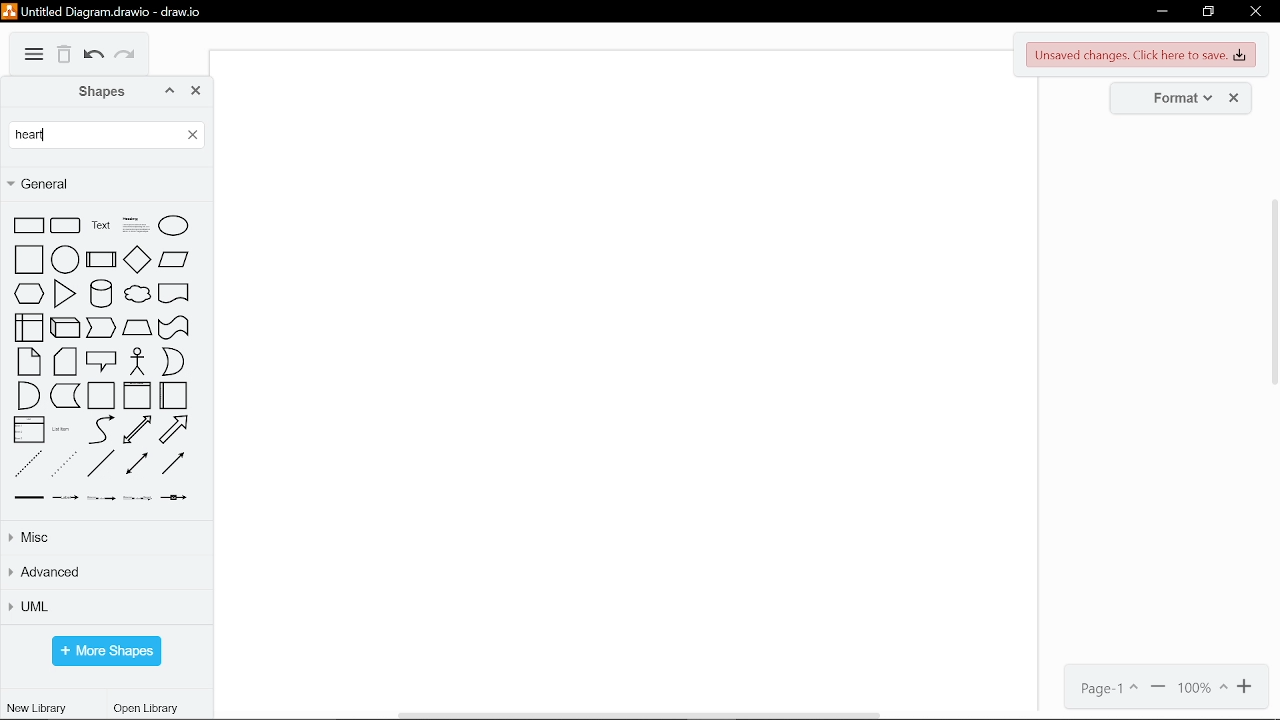  I want to click on zoom in, so click(1246, 687).